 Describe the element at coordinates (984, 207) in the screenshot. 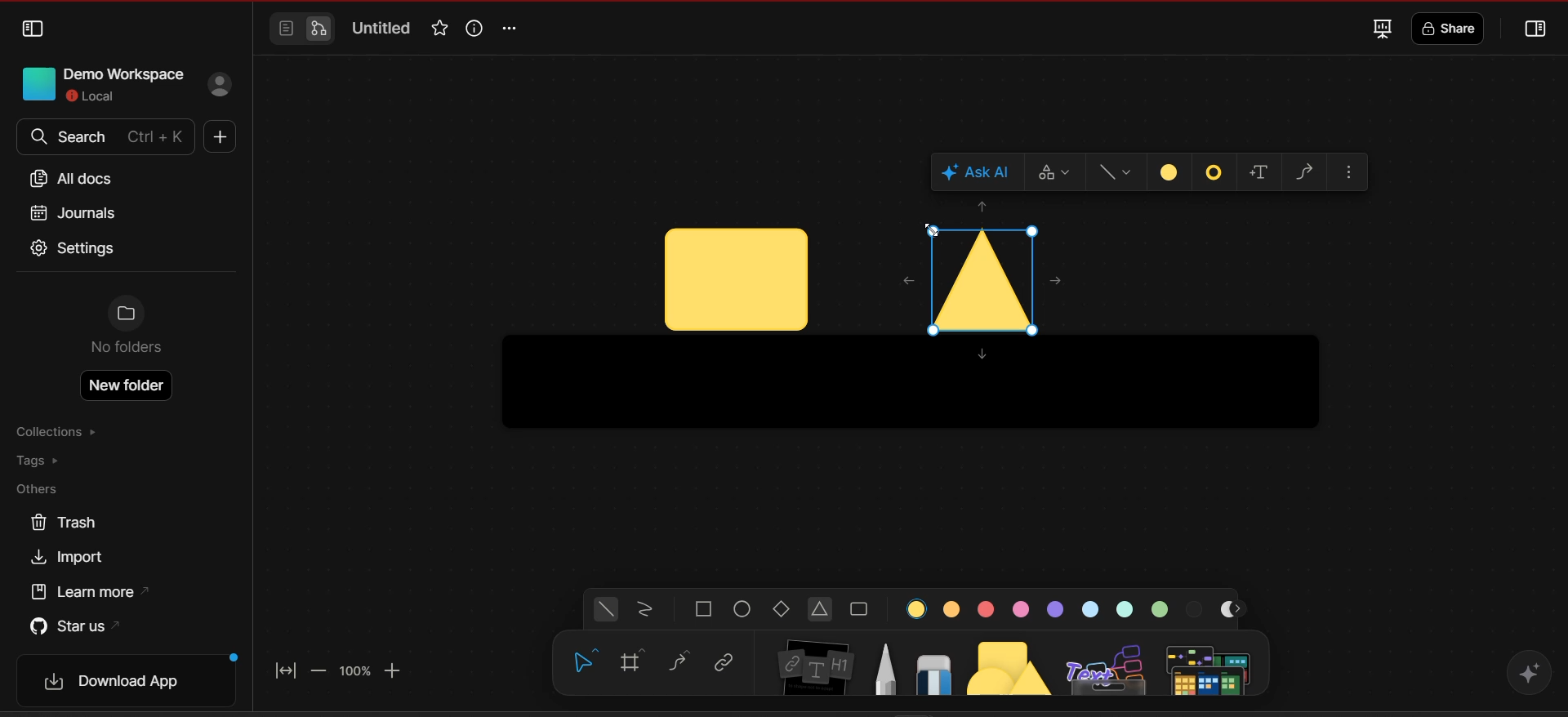

I see `move up` at that location.